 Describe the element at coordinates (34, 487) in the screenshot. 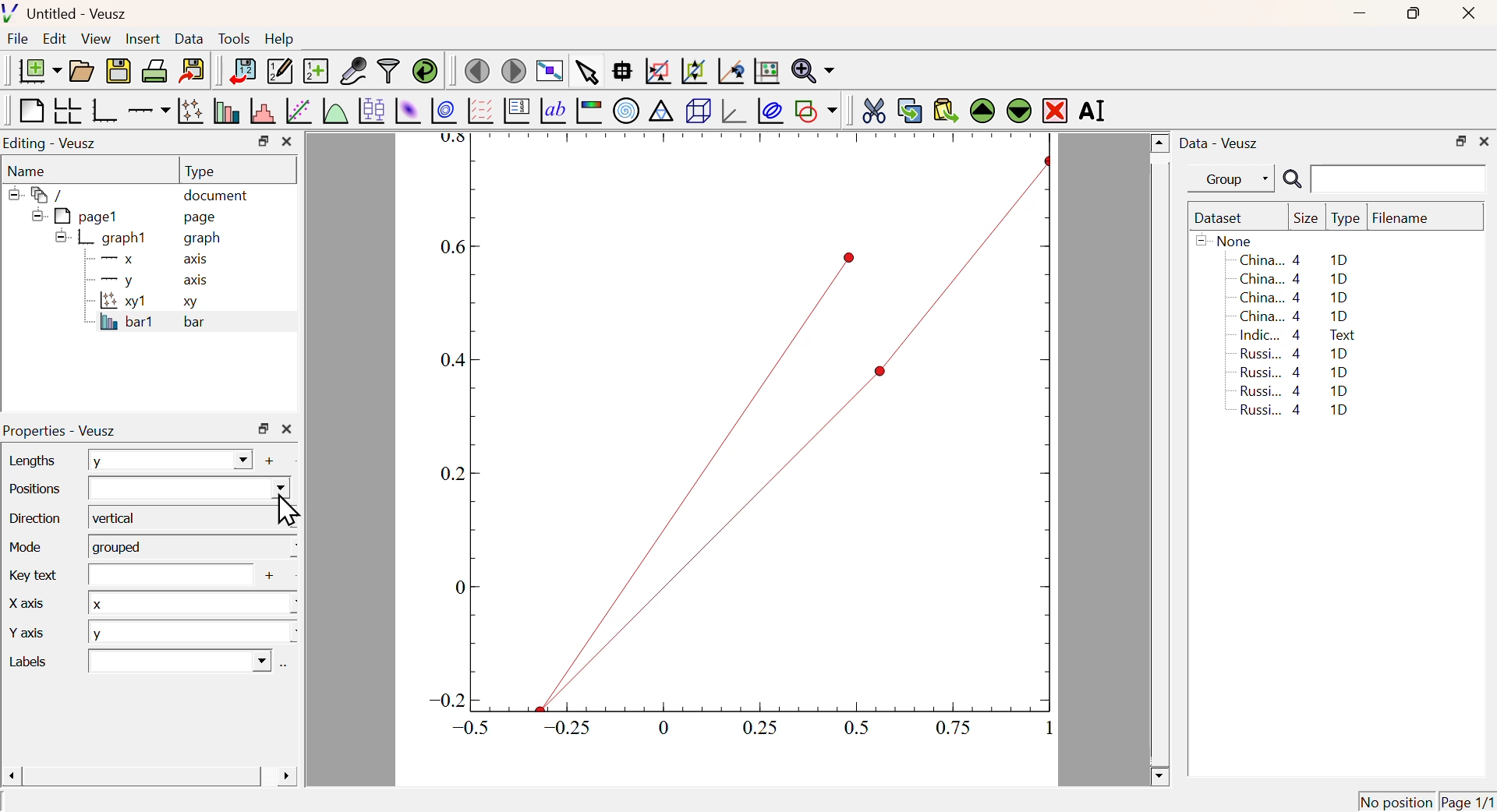

I see `Positions` at that location.